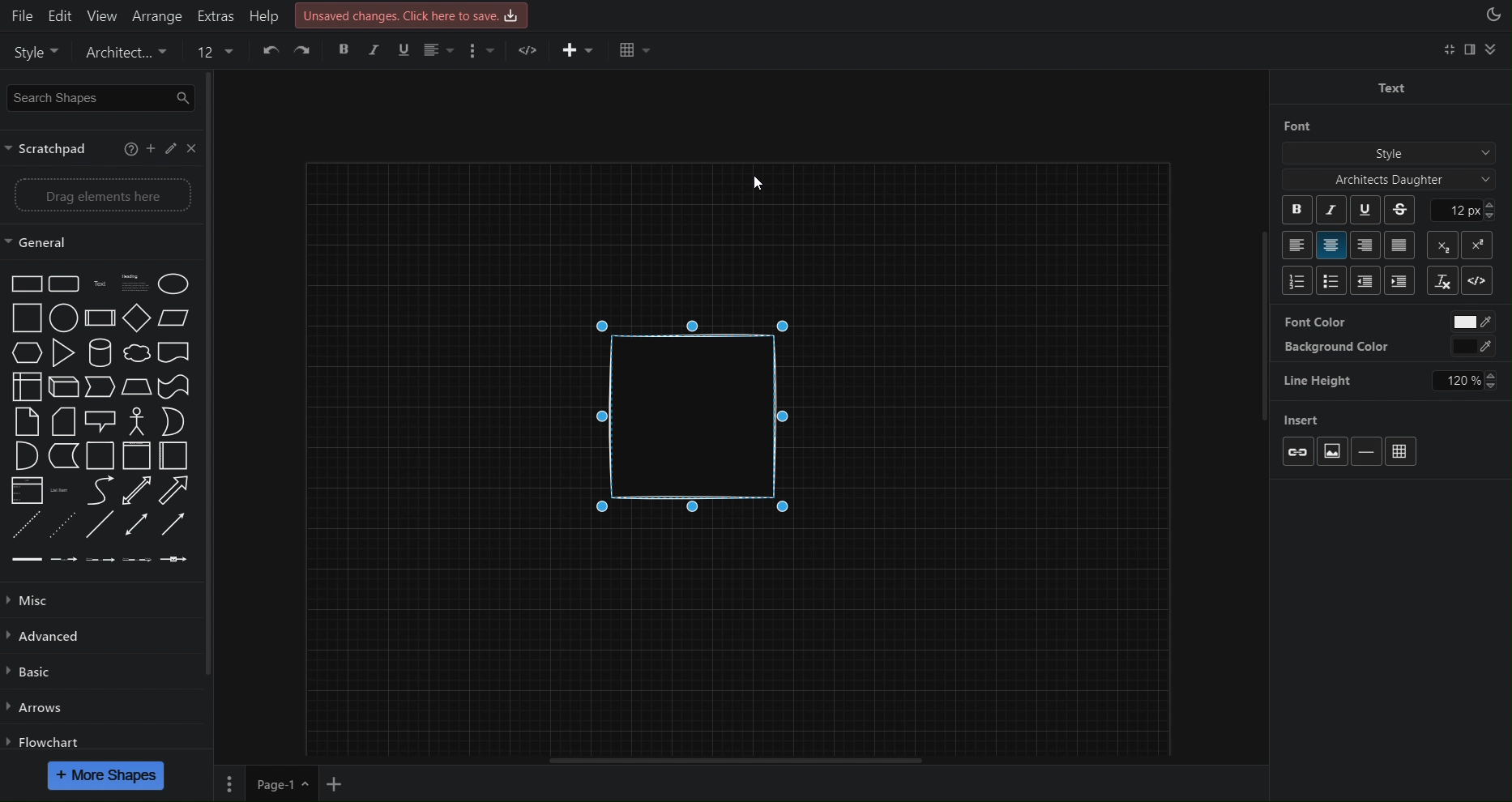 The height and width of the screenshot is (802, 1512). What do you see at coordinates (1296, 455) in the screenshot?
I see `Add` at bounding box center [1296, 455].